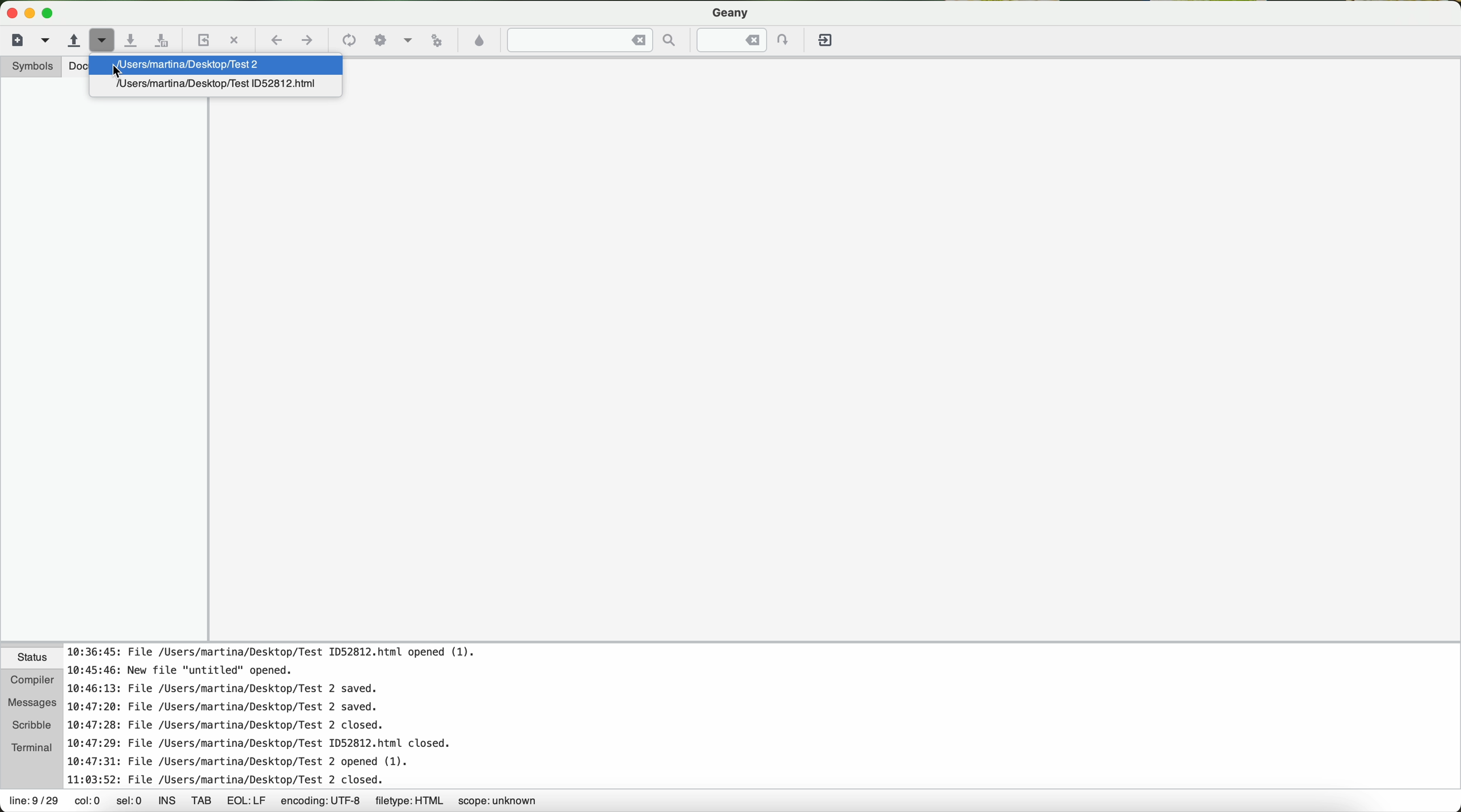 The width and height of the screenshot is (1461, 812). I want to click on Geany, so click(731, 11).